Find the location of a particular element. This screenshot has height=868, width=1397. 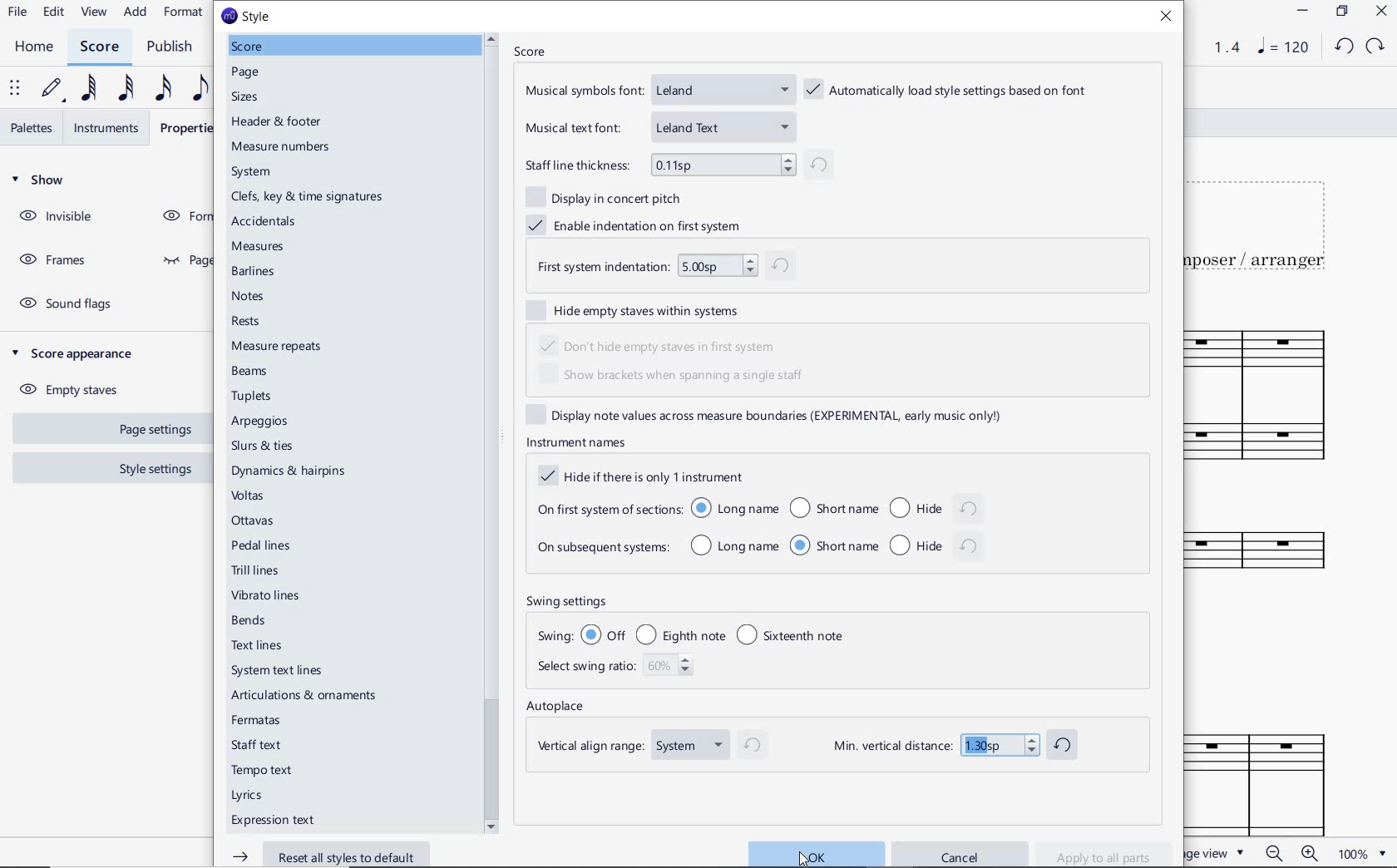

vertical align range is located at coordinates (646, 747).